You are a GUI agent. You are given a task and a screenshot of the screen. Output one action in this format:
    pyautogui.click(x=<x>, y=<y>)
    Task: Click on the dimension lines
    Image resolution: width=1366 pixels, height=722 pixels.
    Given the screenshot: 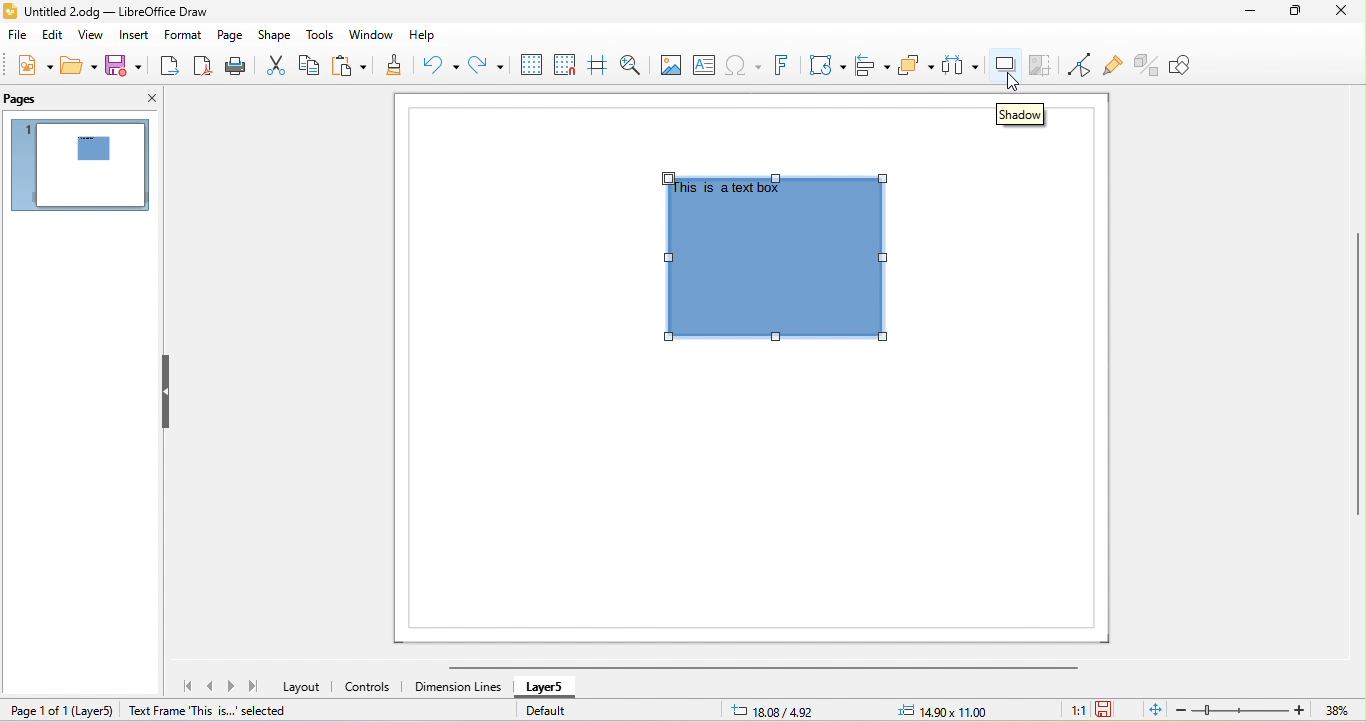 What is the action you would take?
    pyautogui.click(x=458, y=687)
    